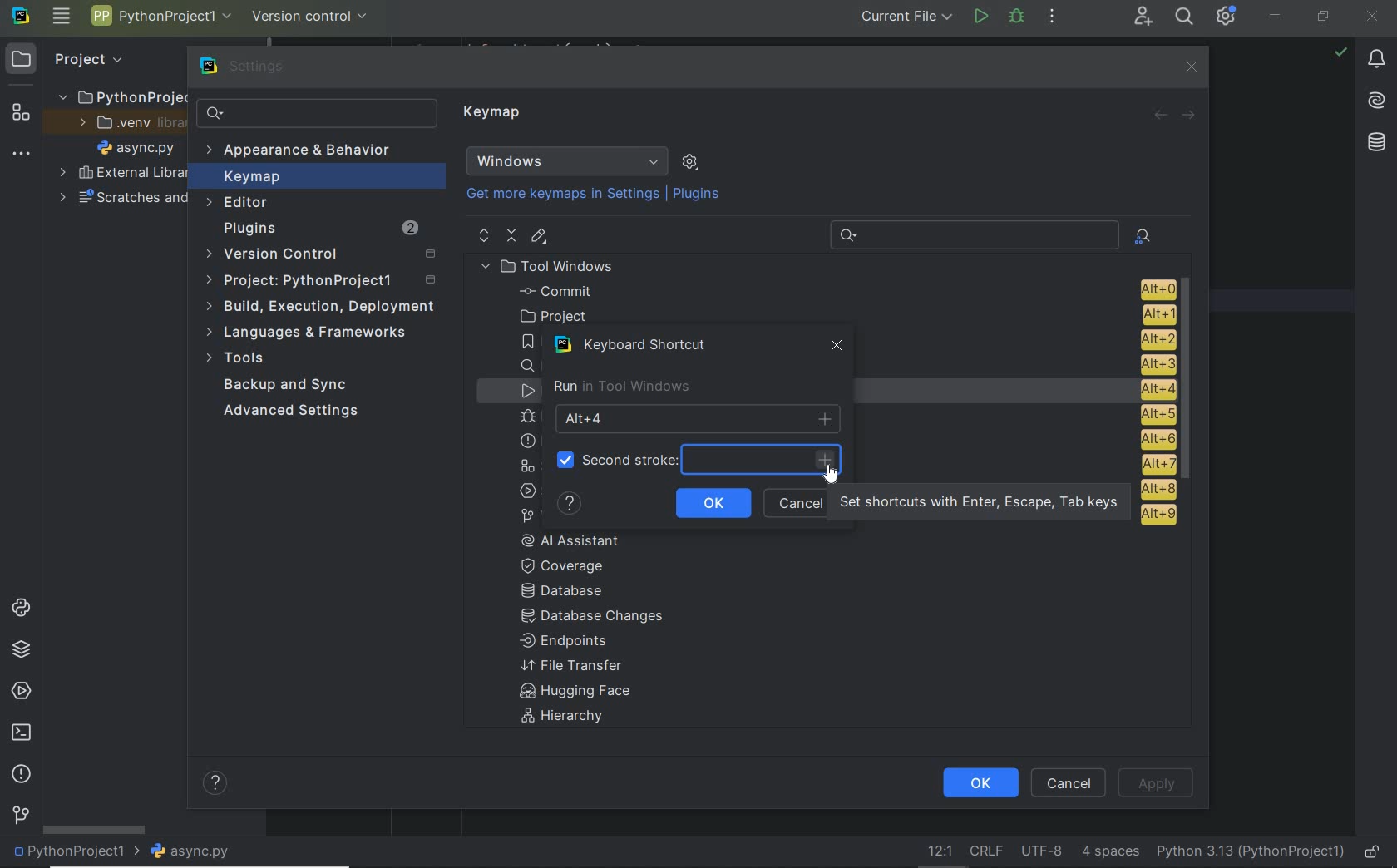 This screenshot has width=1397, height=868. Describe the element at coordinates (1190, 114) in the screenshot. I see `forward` at that location.